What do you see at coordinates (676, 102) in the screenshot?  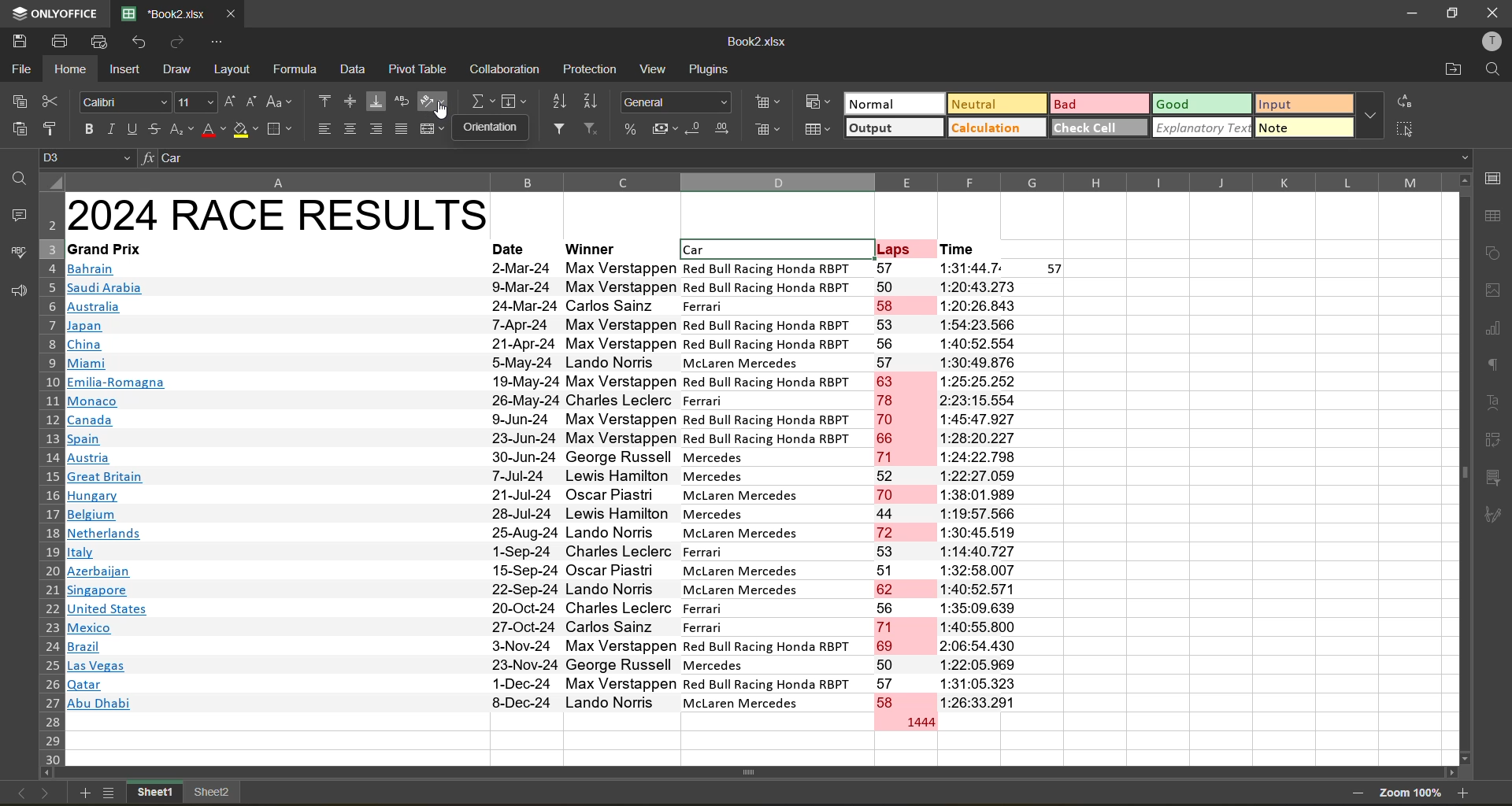 I see `number format` at bounding box center [676, 102].